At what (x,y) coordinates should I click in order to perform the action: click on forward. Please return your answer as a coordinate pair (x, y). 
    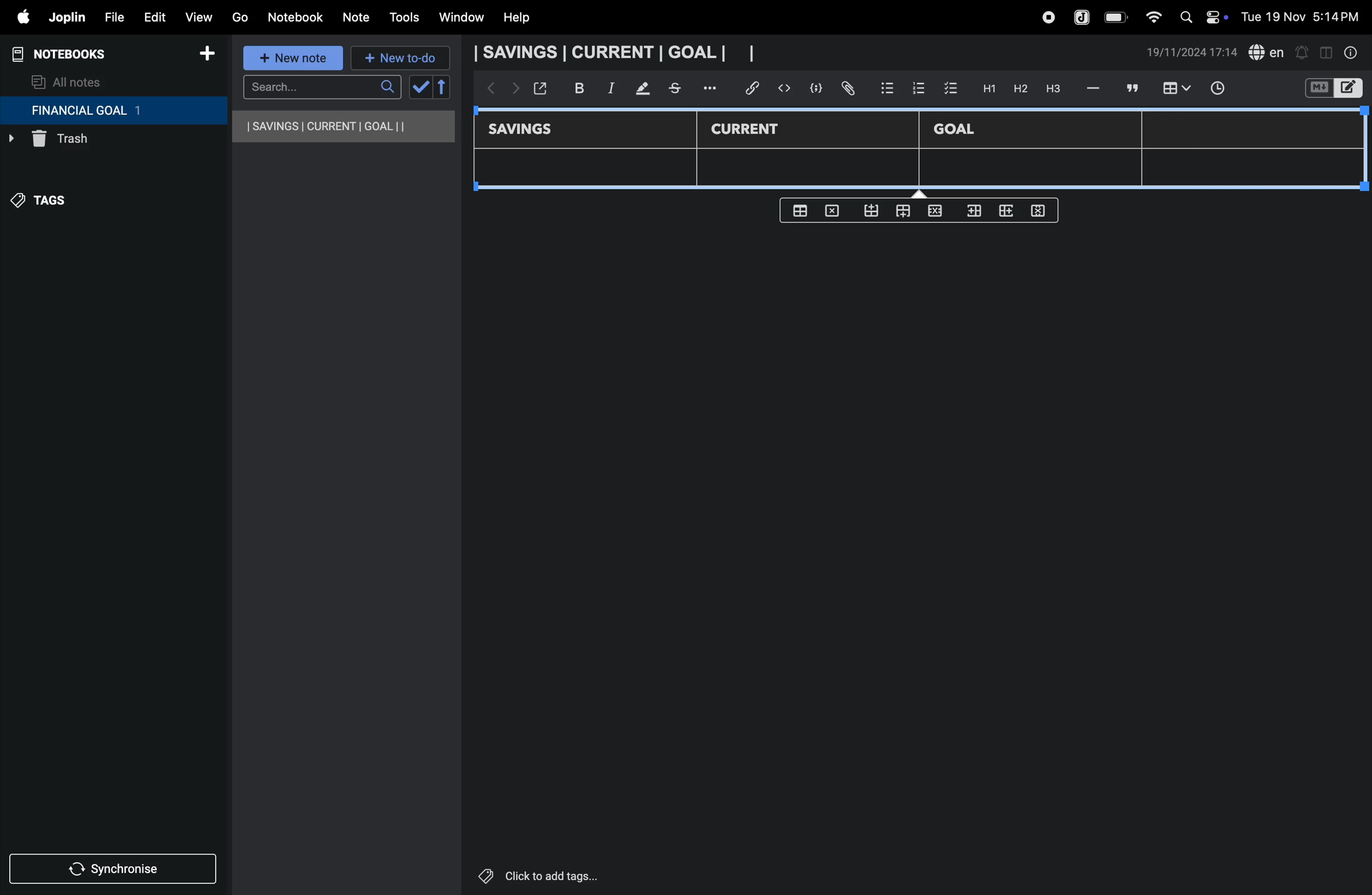
    Looking at the image, I should click on (512, 91).